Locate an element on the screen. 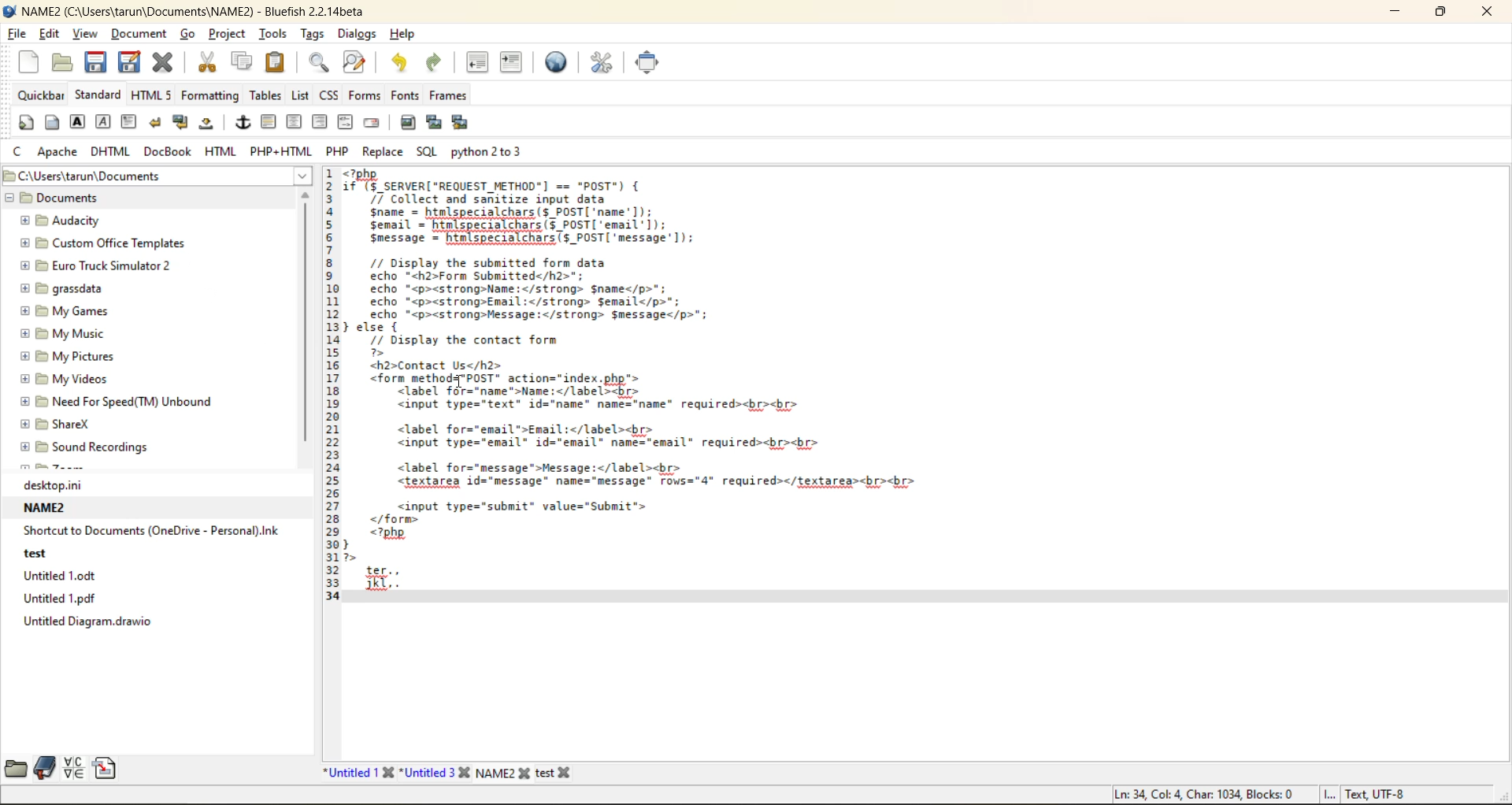 The image size is (1512, 805). strong is located at coordinates (79, 122).